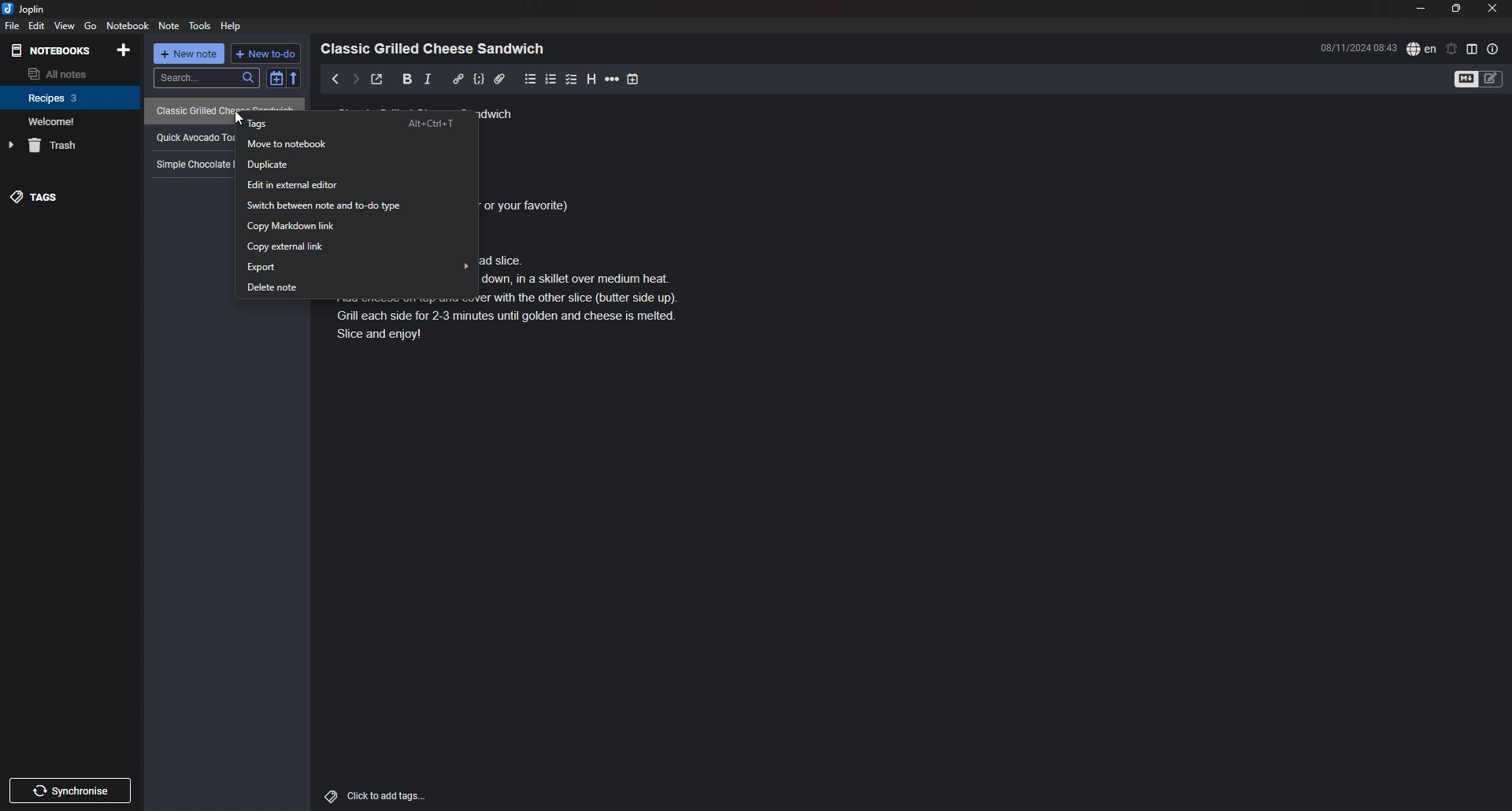 The width and height of the screenshot is (1512, 811). Describe the element at coordinates (354, 206) in the screenshot. I see `switch between note and todo` at that location.